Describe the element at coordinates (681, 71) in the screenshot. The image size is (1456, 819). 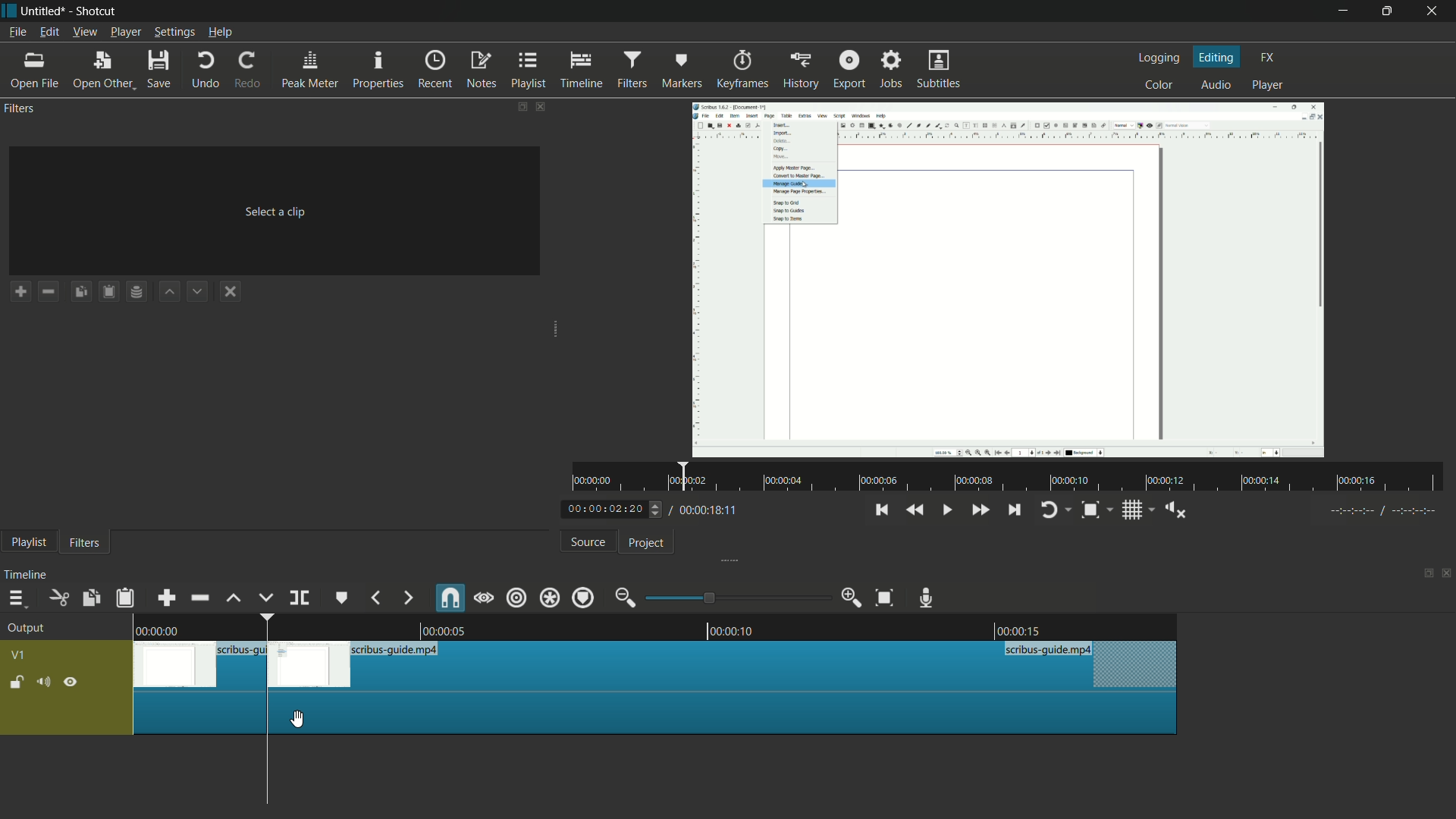
I see `markers` at that location.